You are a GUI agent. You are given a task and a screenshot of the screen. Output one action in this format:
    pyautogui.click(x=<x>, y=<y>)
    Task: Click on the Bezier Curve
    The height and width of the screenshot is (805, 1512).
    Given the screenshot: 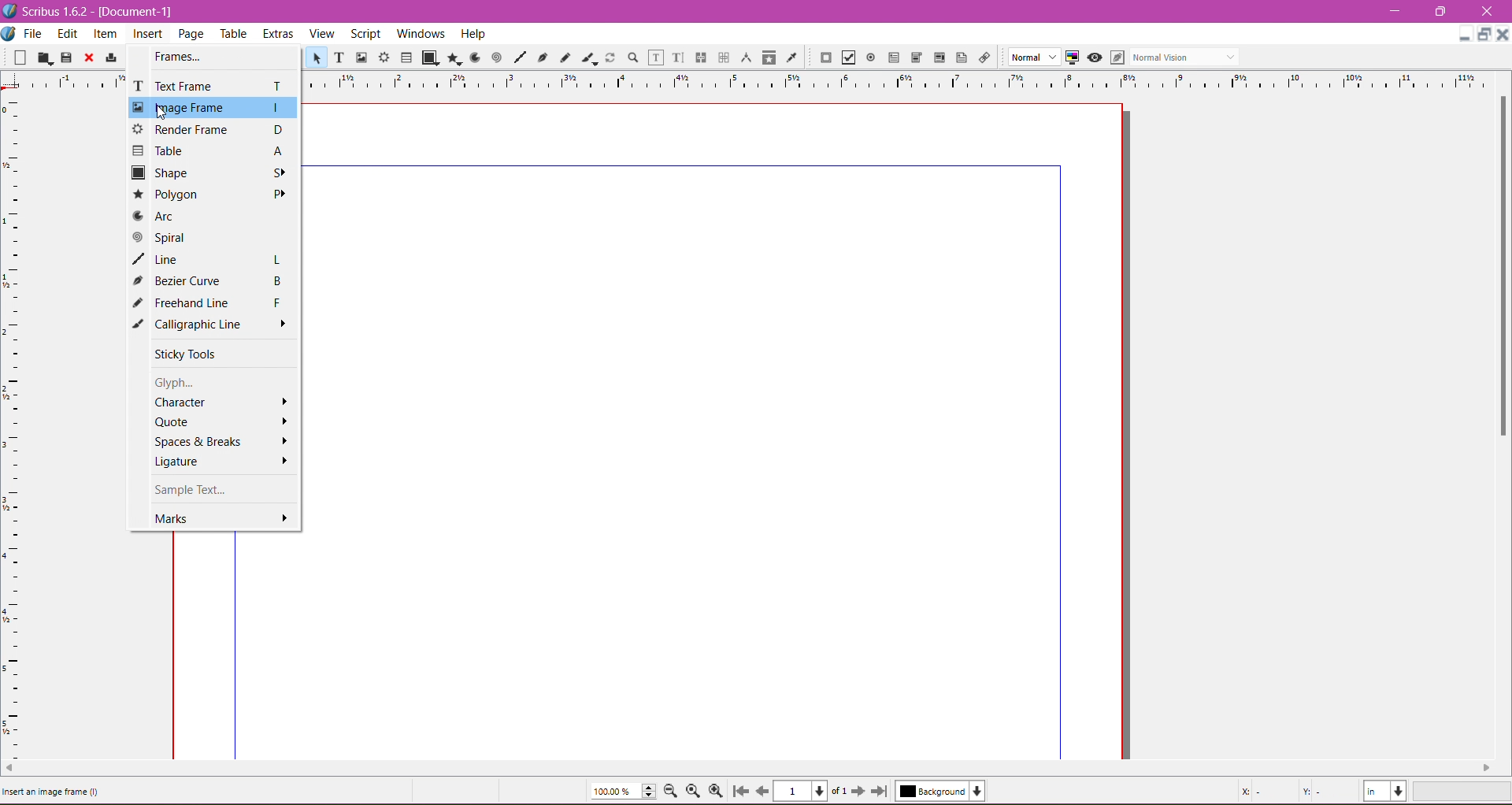 What is the action you would take?
    pyautogui.click(x=543, y=59)
    